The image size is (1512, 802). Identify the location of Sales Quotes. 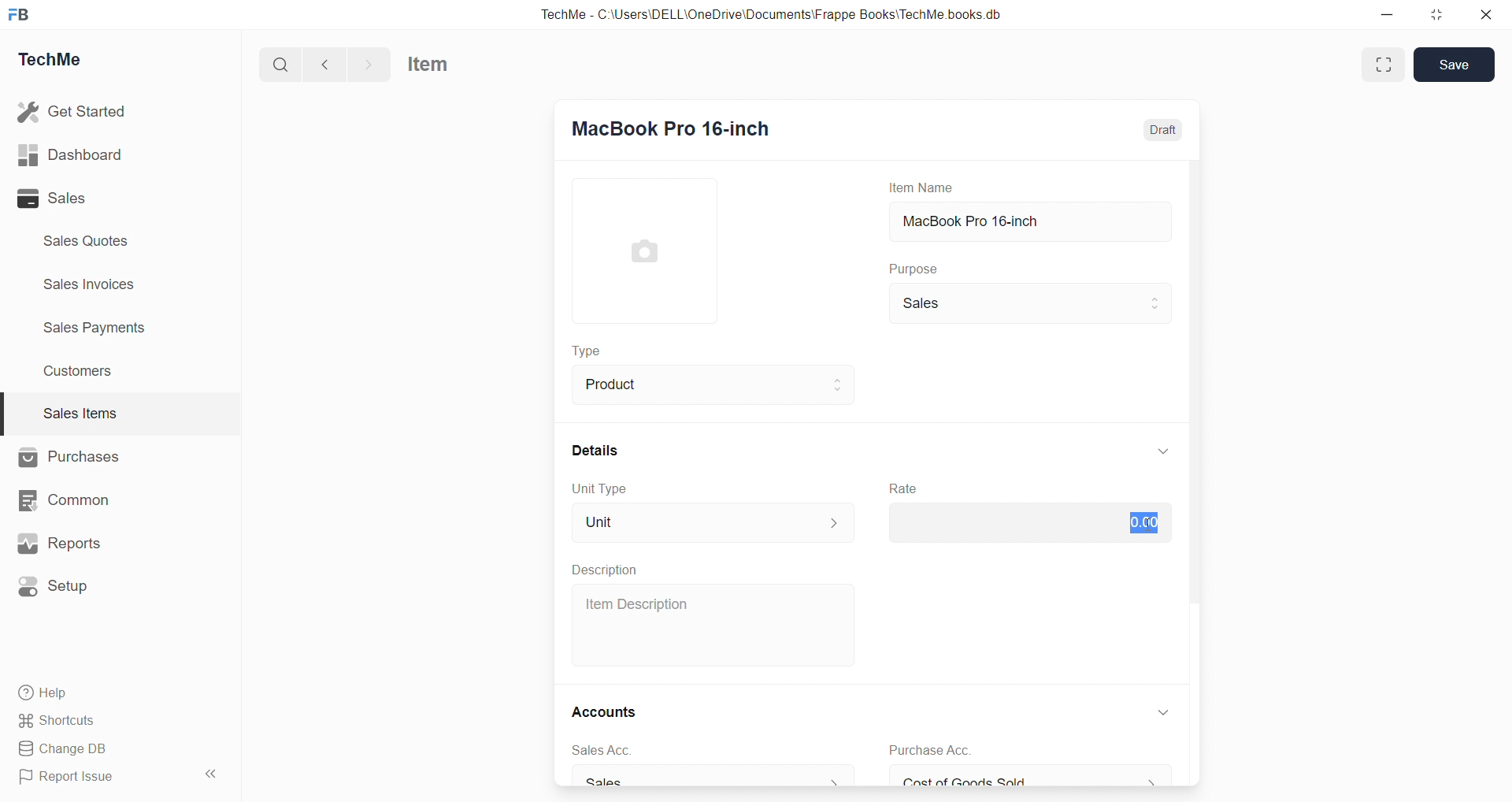
(87, 240).